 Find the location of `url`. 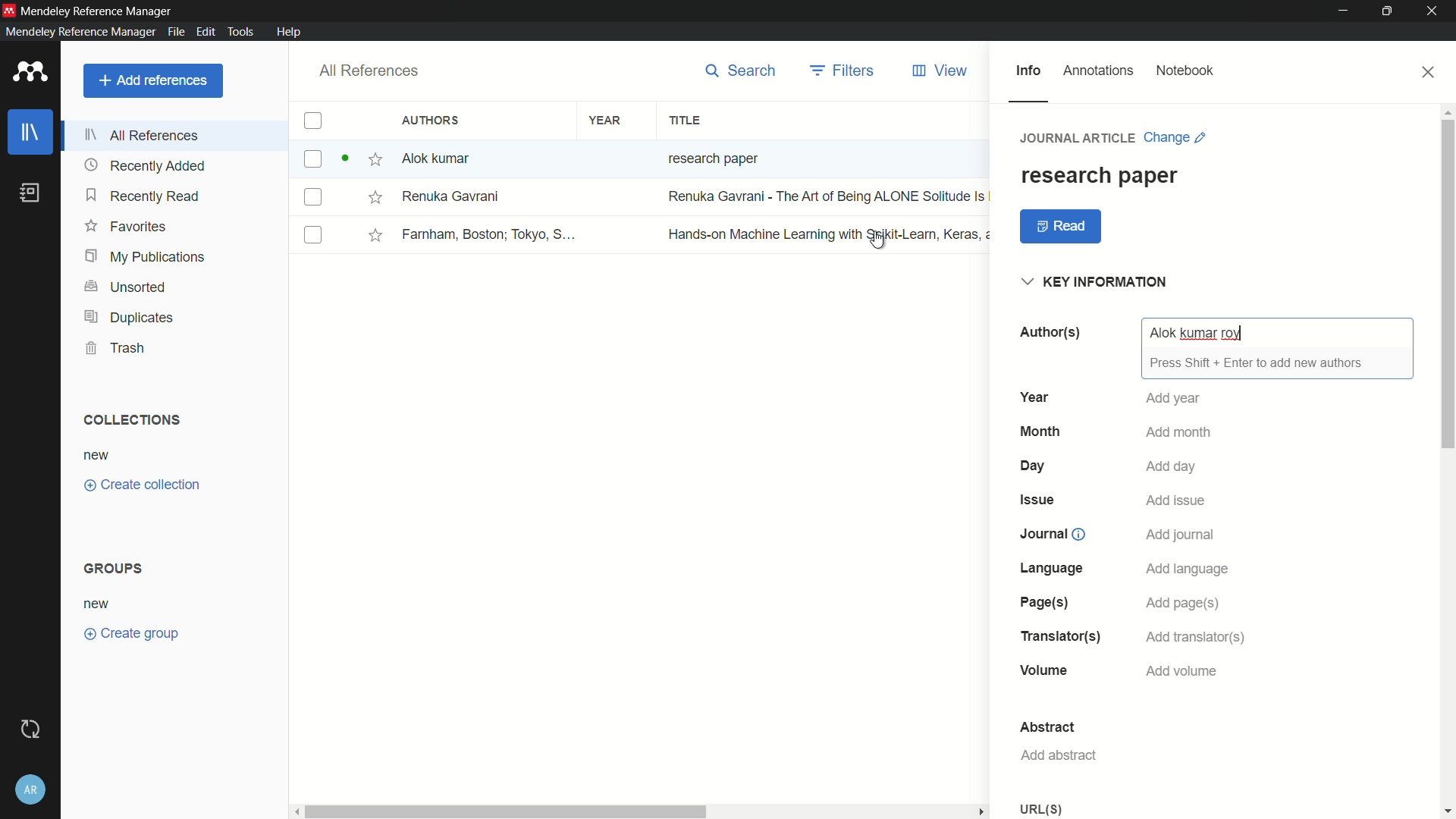

url is located at coordinates (1043, 809).